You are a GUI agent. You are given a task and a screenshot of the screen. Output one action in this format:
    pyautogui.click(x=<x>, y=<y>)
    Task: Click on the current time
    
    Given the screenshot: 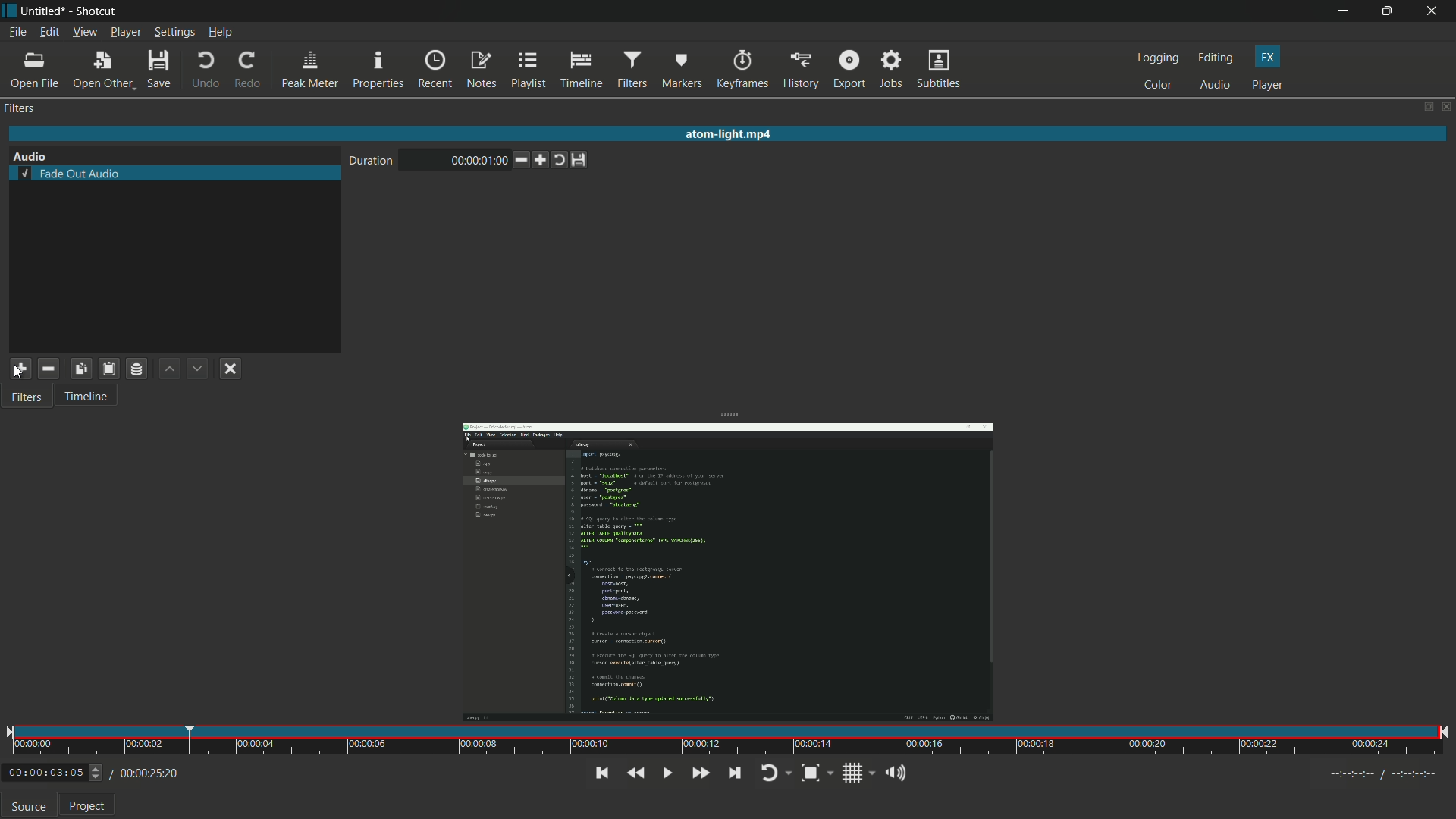 What is the action you would take?
    pyautogui.click(x=44, y=773)
    